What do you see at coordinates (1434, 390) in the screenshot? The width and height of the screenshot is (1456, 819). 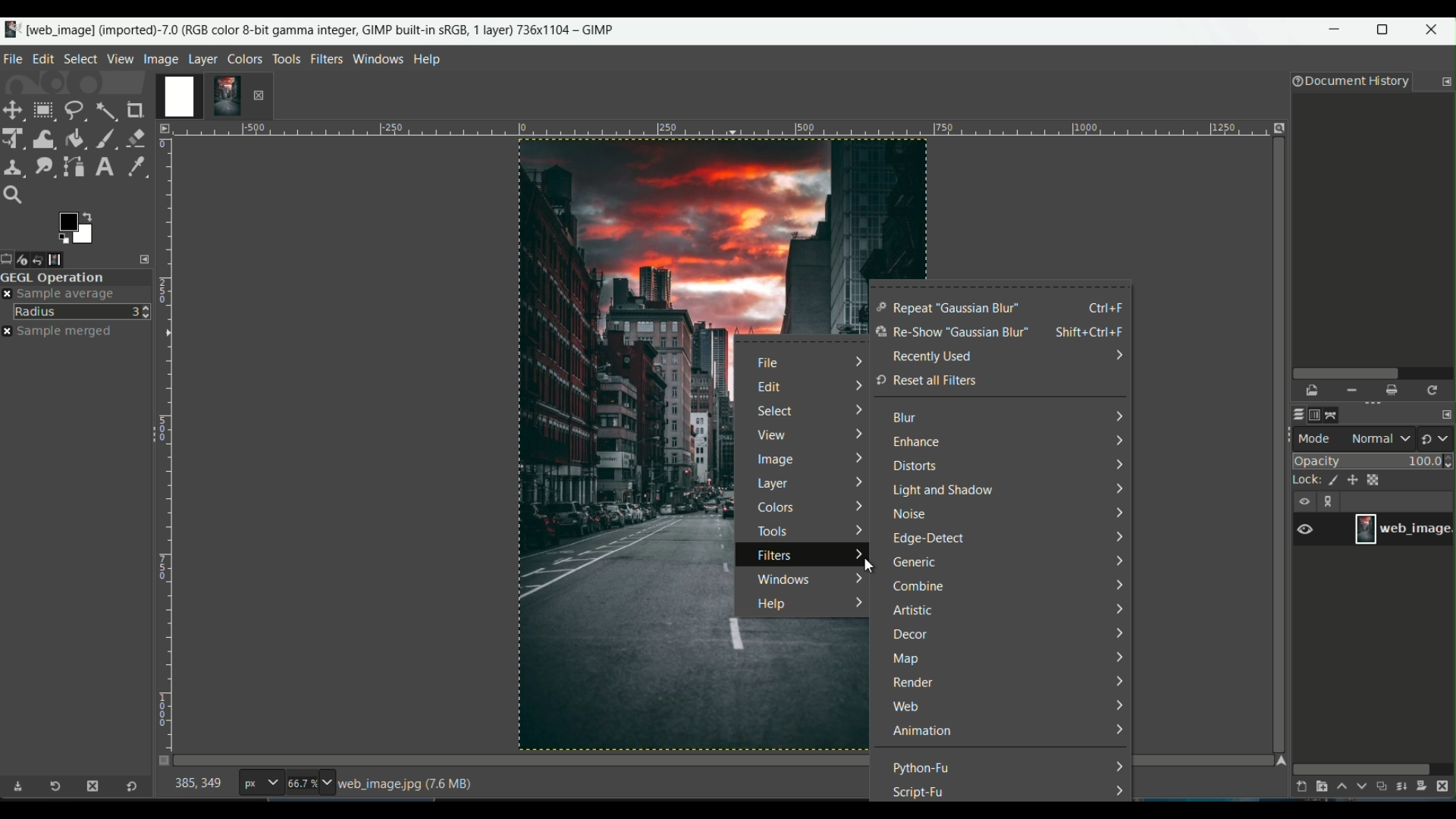 I see `recreate preview` at bounding box center [1434, 390].